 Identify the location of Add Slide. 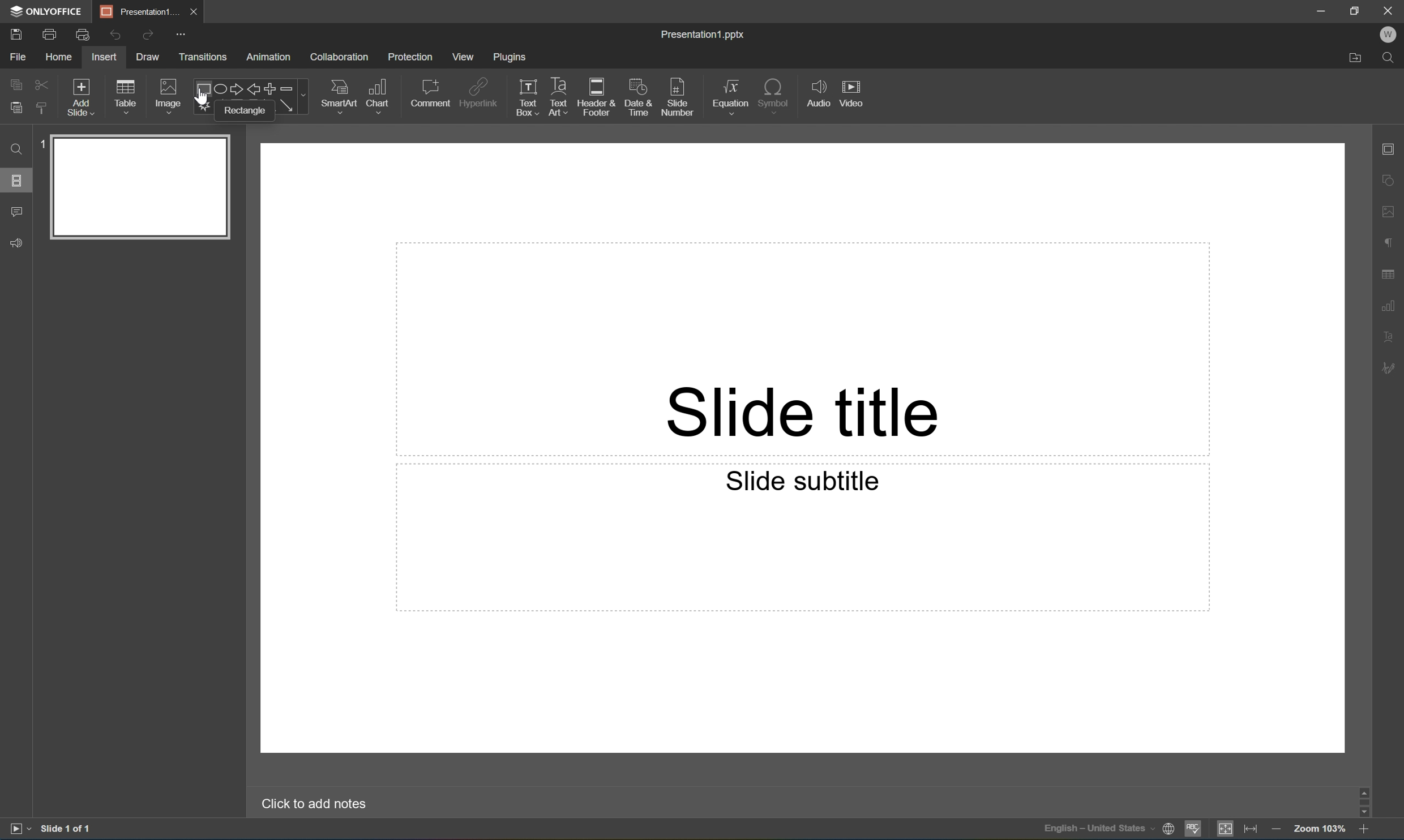
(82, 98).